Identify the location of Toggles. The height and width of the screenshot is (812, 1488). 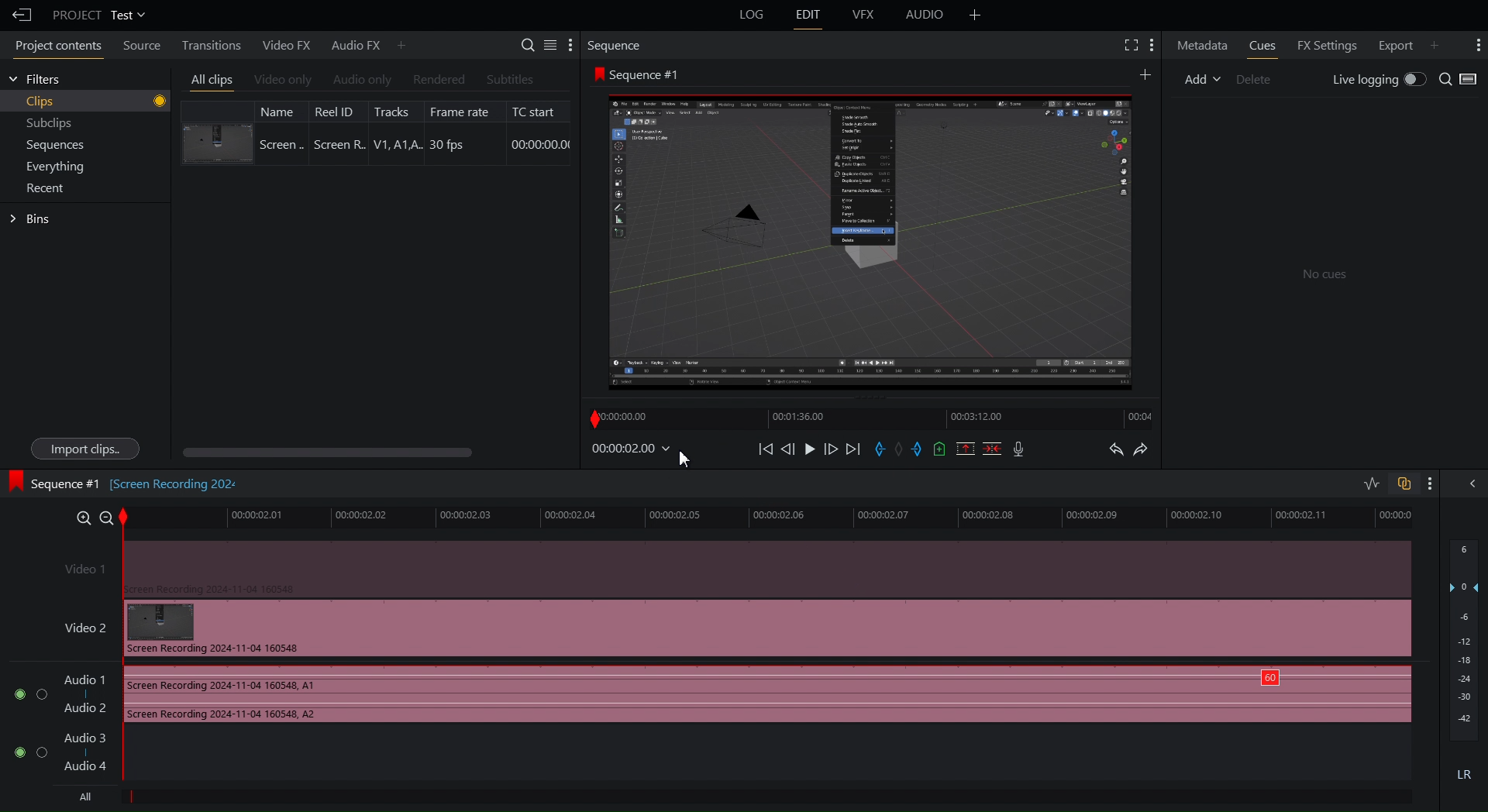
(1387, 485).